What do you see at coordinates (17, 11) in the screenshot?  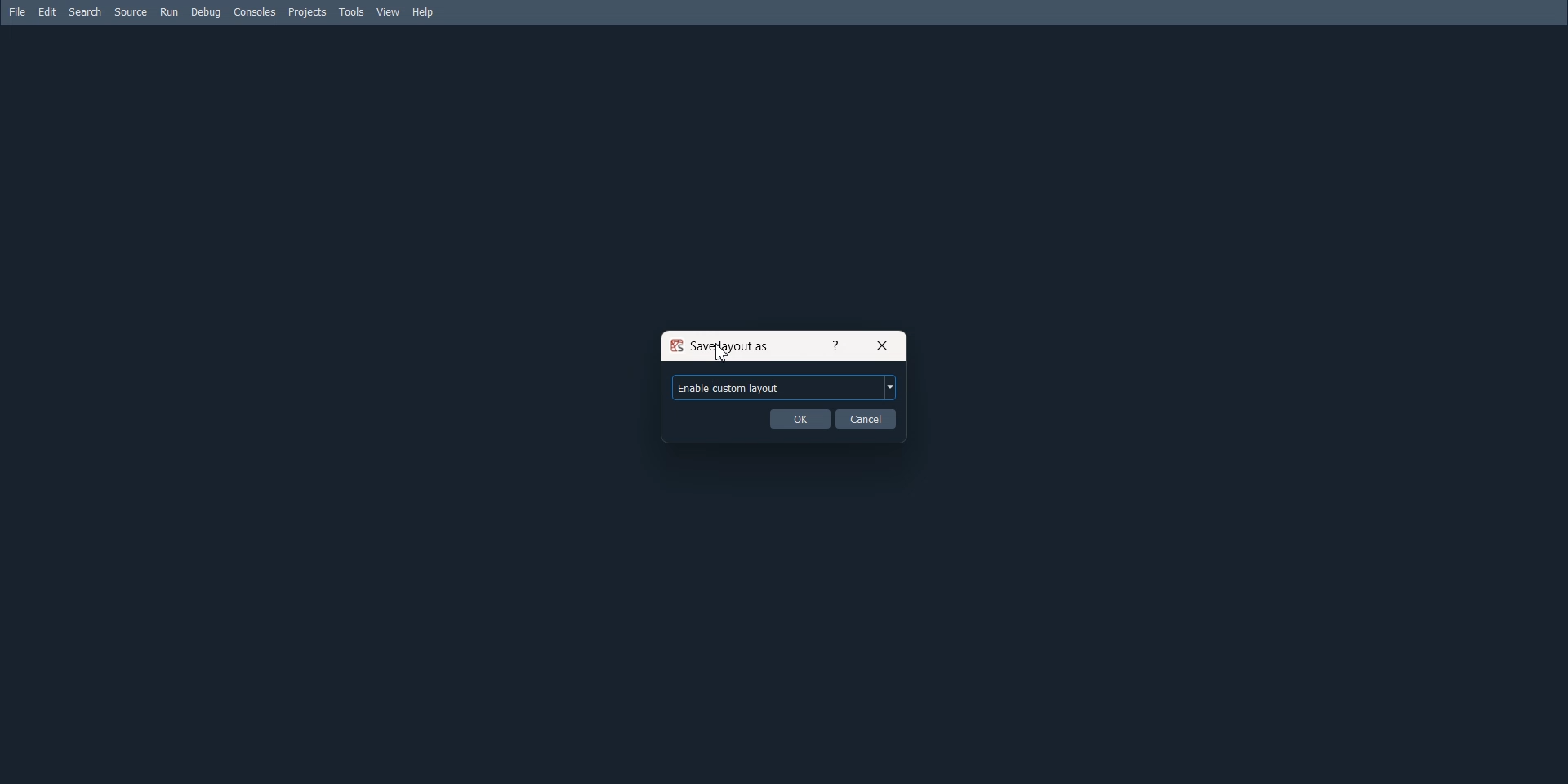 I see `File` at bounding box center [17, 11].